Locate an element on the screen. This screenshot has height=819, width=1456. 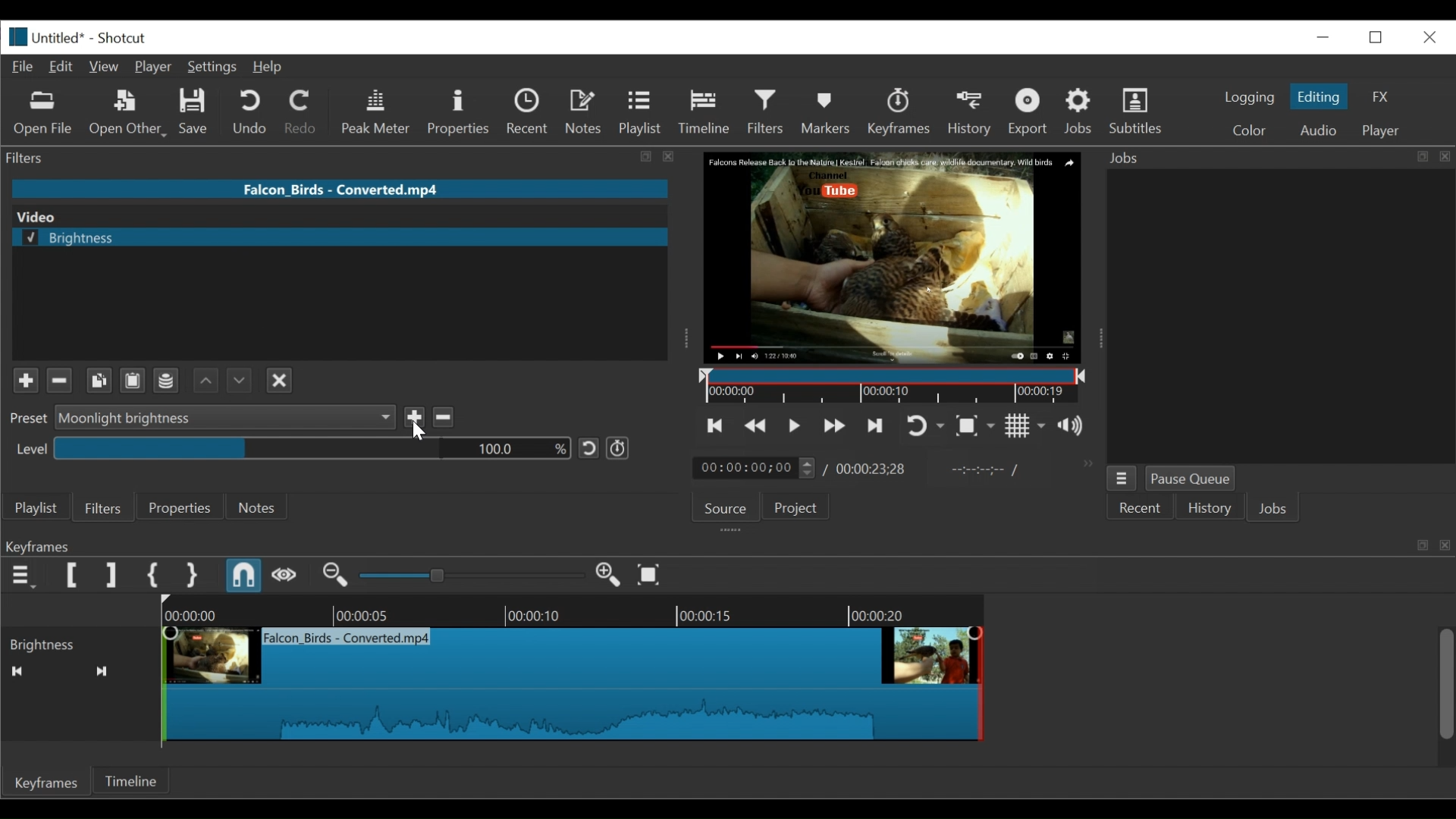
Audio is located at coordinates (1321, 130).